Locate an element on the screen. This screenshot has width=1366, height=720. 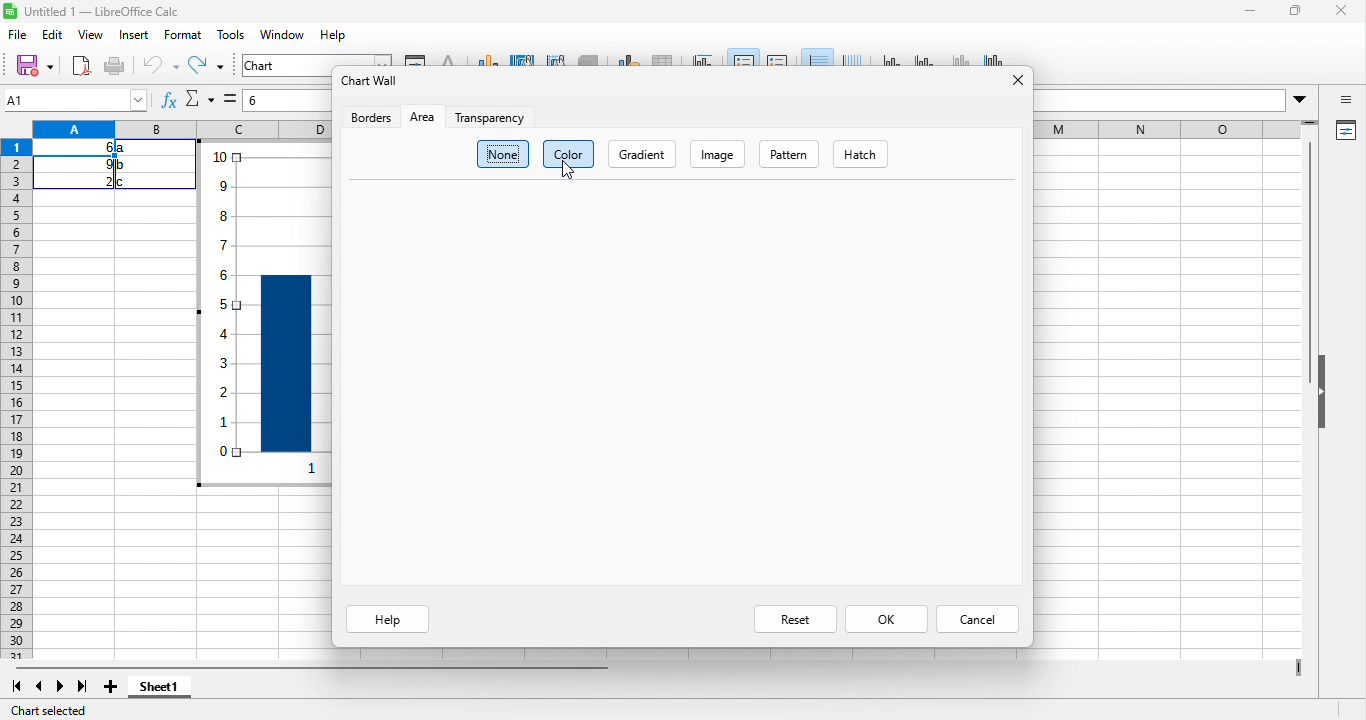
drag to view more columns is located at coordinates (1293, 663).